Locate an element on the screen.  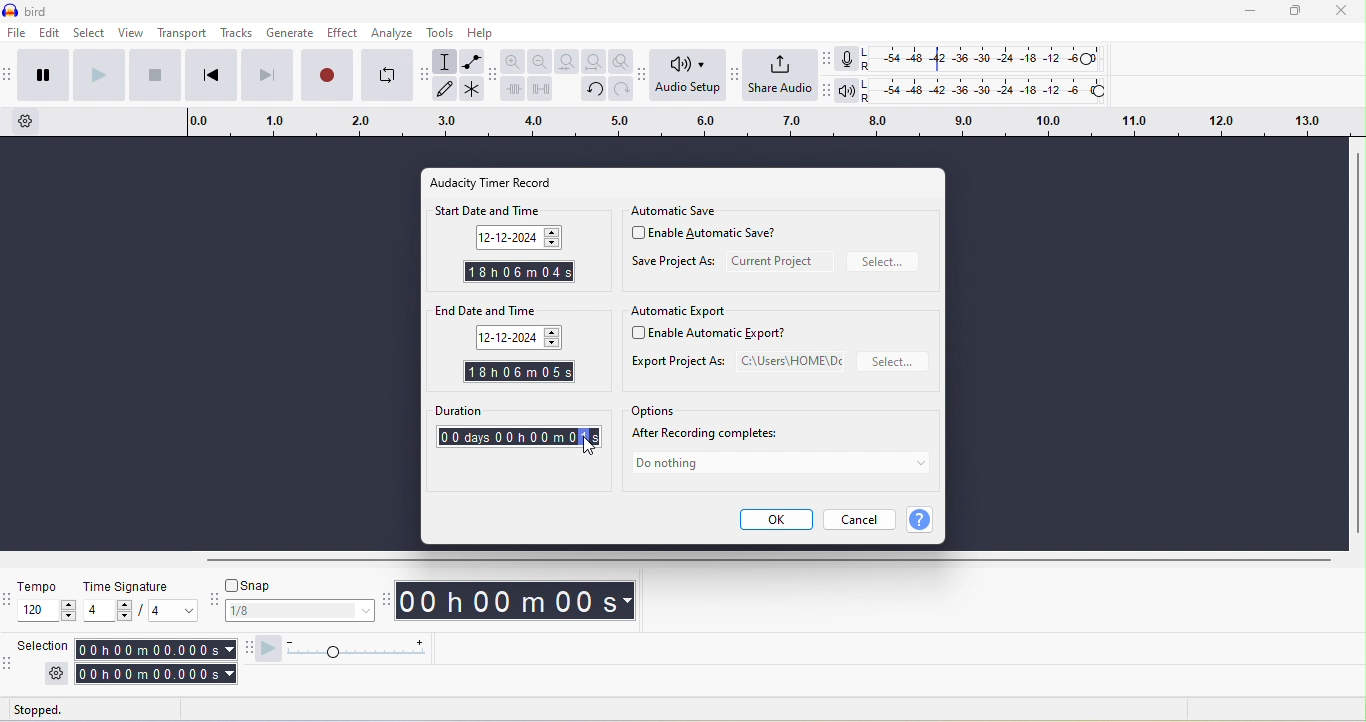
skip to start is located at coordinates (208, 74).